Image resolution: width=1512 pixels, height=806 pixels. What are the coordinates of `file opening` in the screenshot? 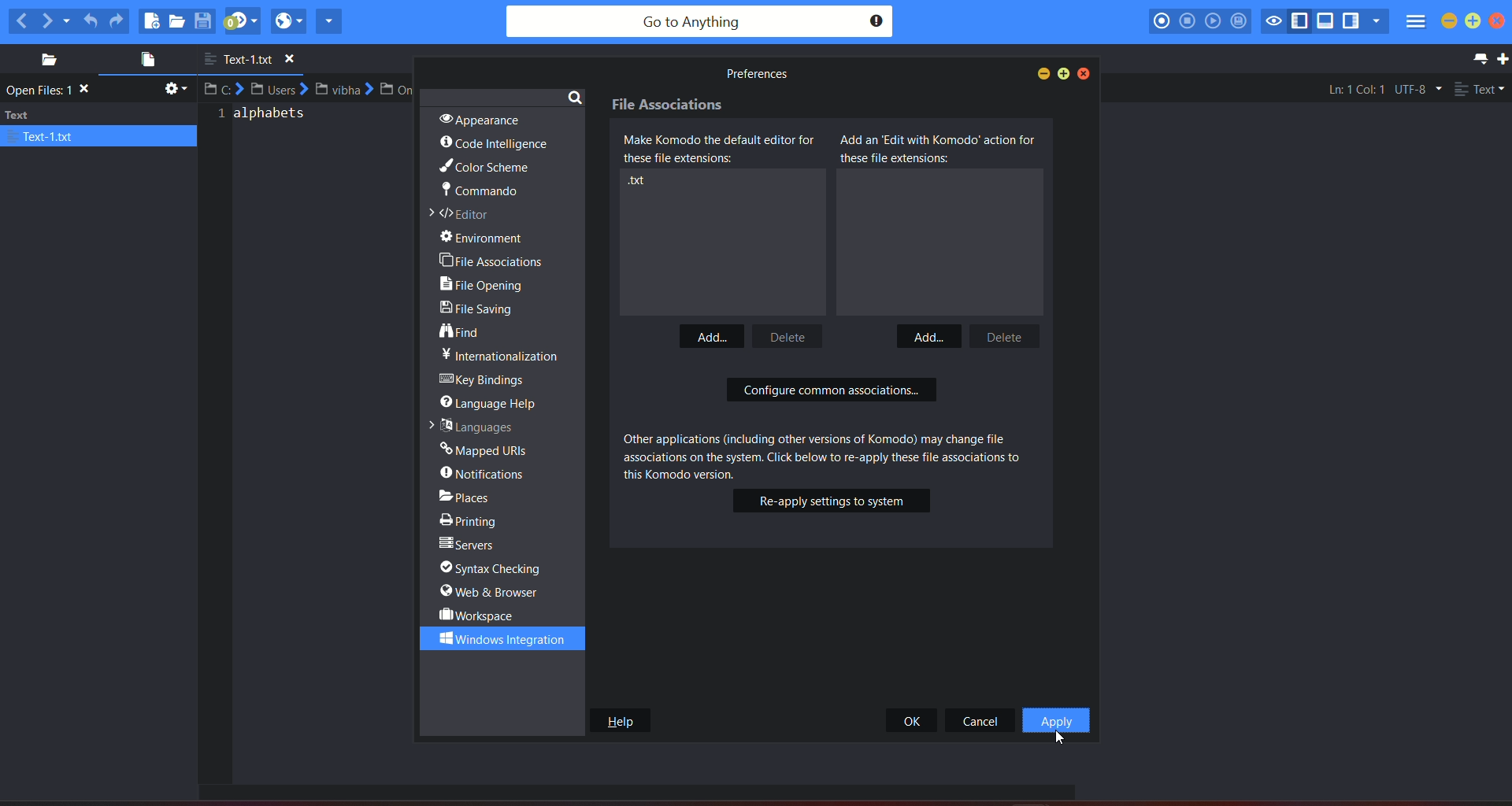 It's located at (487, 286).